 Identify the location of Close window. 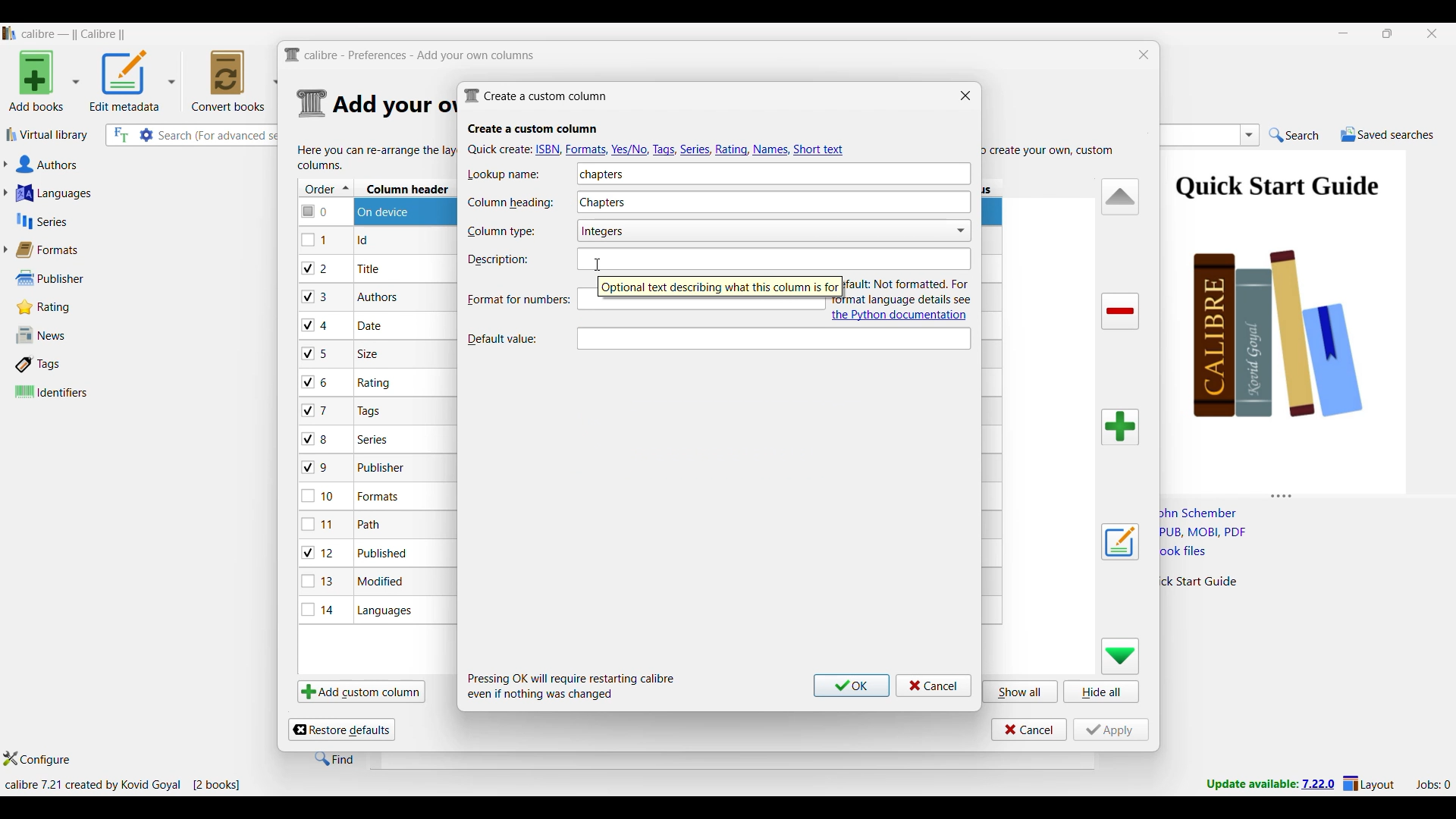
(1144, 55).